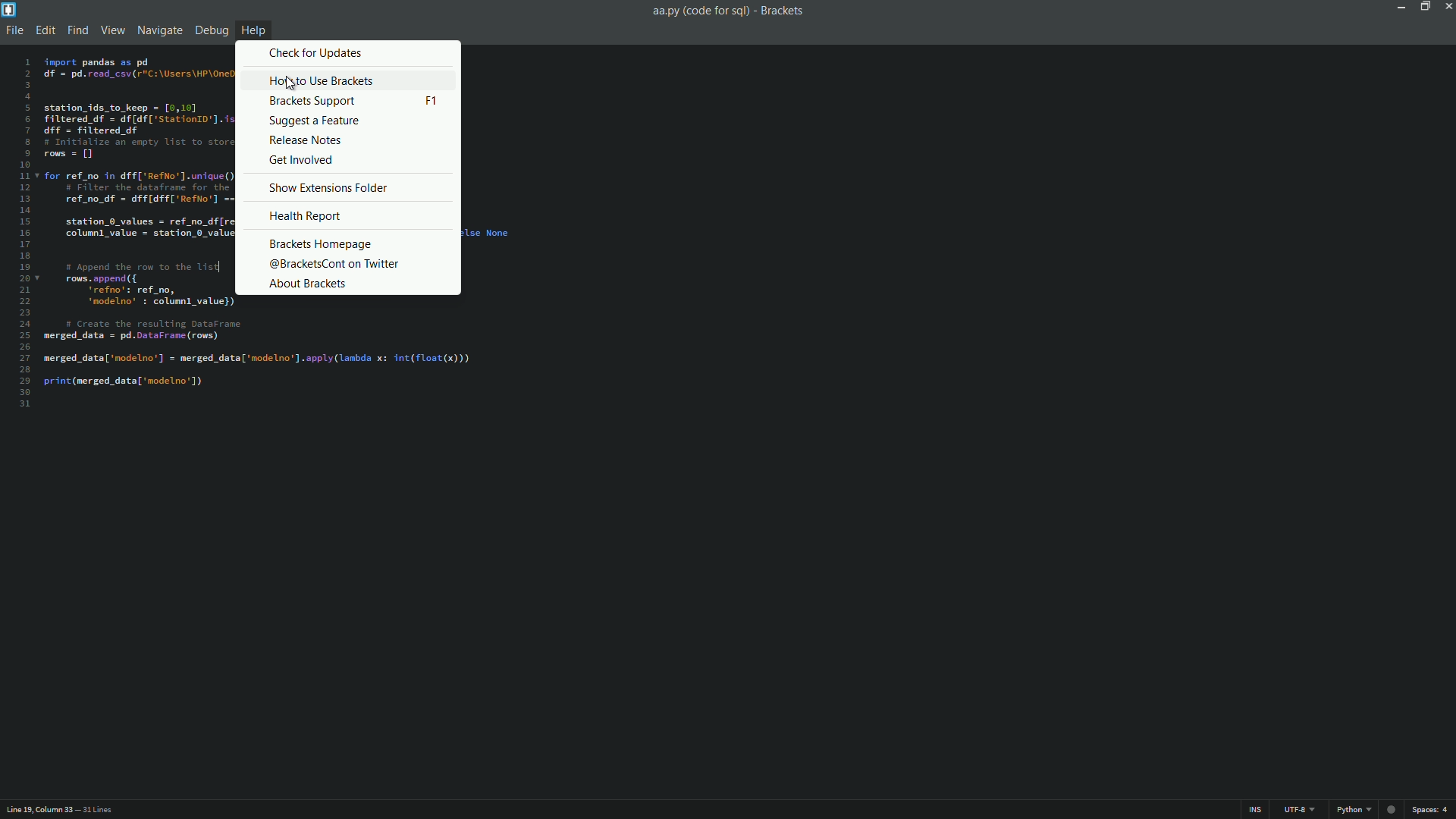 The image size is (1456, 819). What do you see at coordinates (318, 244) in the screenshot?
I see `brackets homepage` at bounding box center [318, 244].